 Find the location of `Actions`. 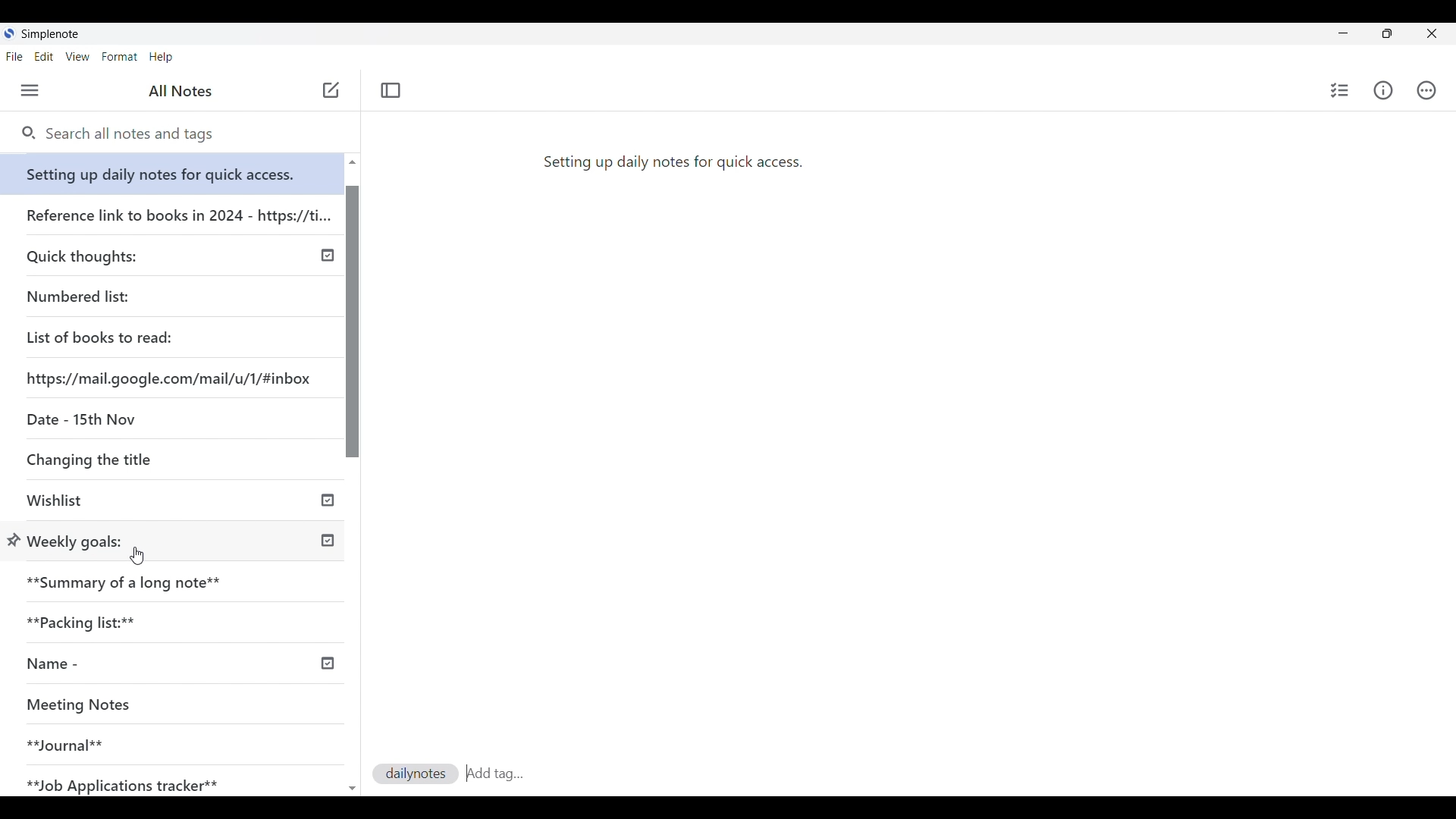

Actions is located at coordinates (1426, 89).